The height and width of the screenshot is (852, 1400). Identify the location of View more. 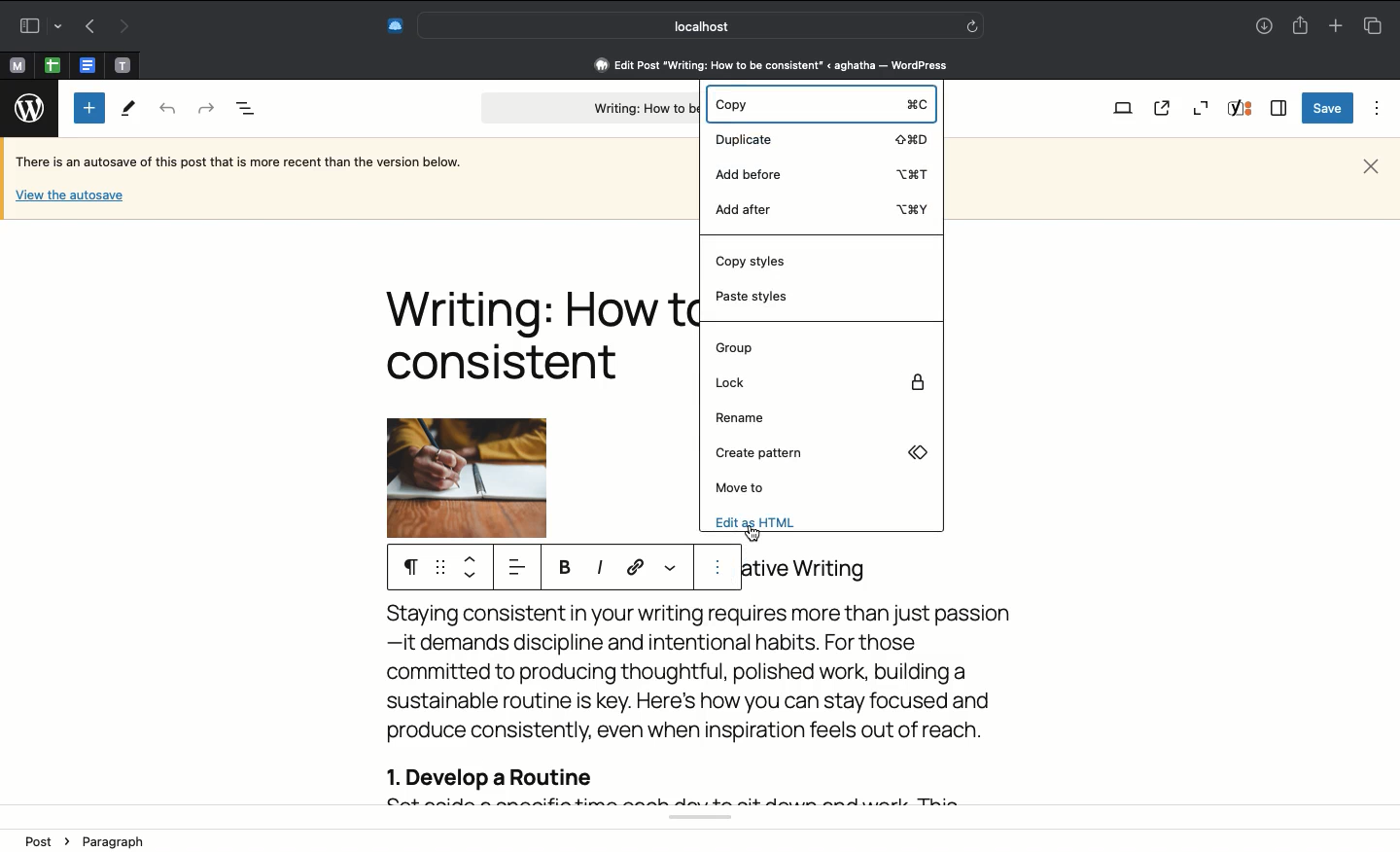
(671, 564).